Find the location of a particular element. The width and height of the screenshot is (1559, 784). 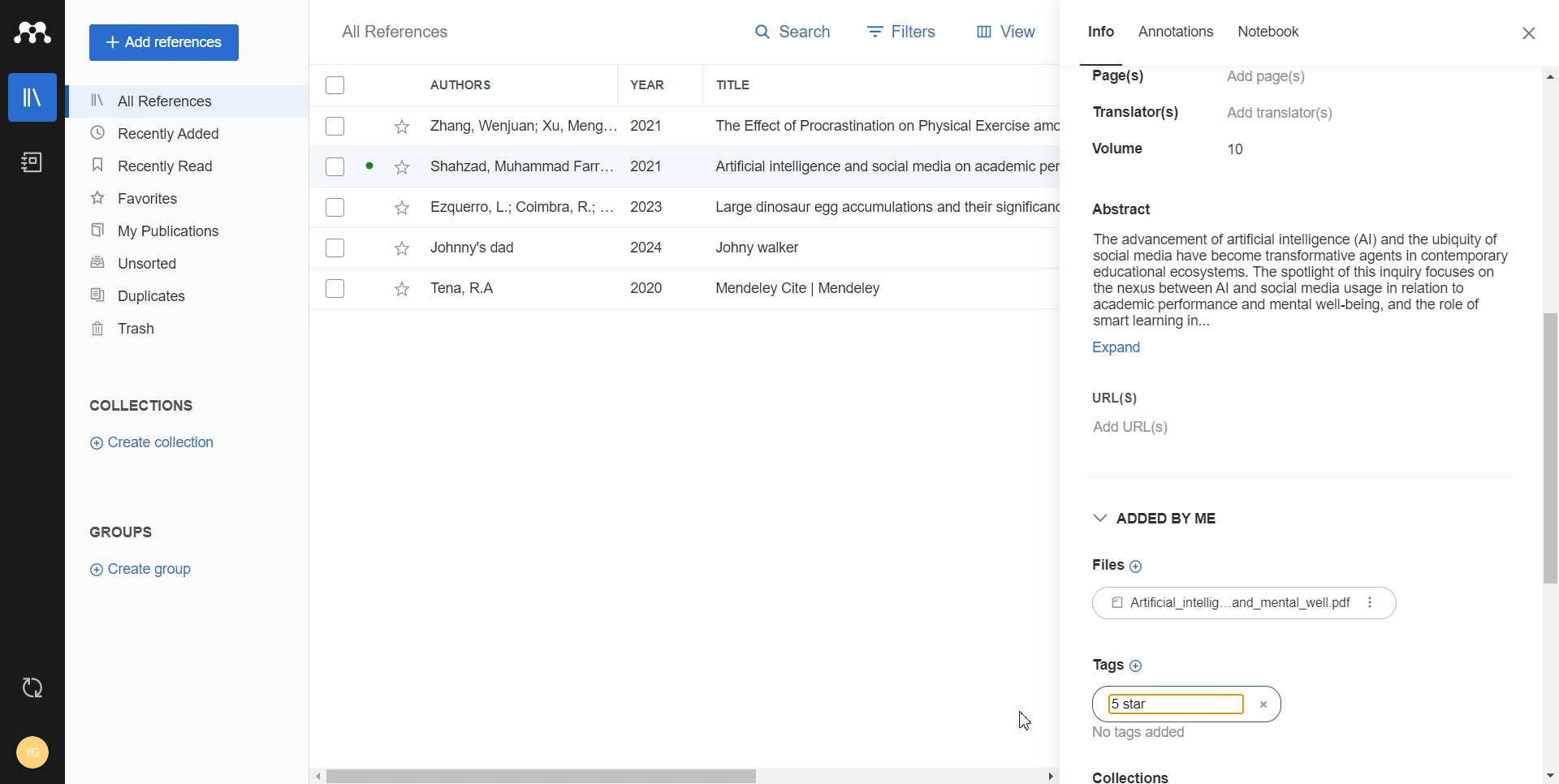

Add references is located at coordinates (164, 41).